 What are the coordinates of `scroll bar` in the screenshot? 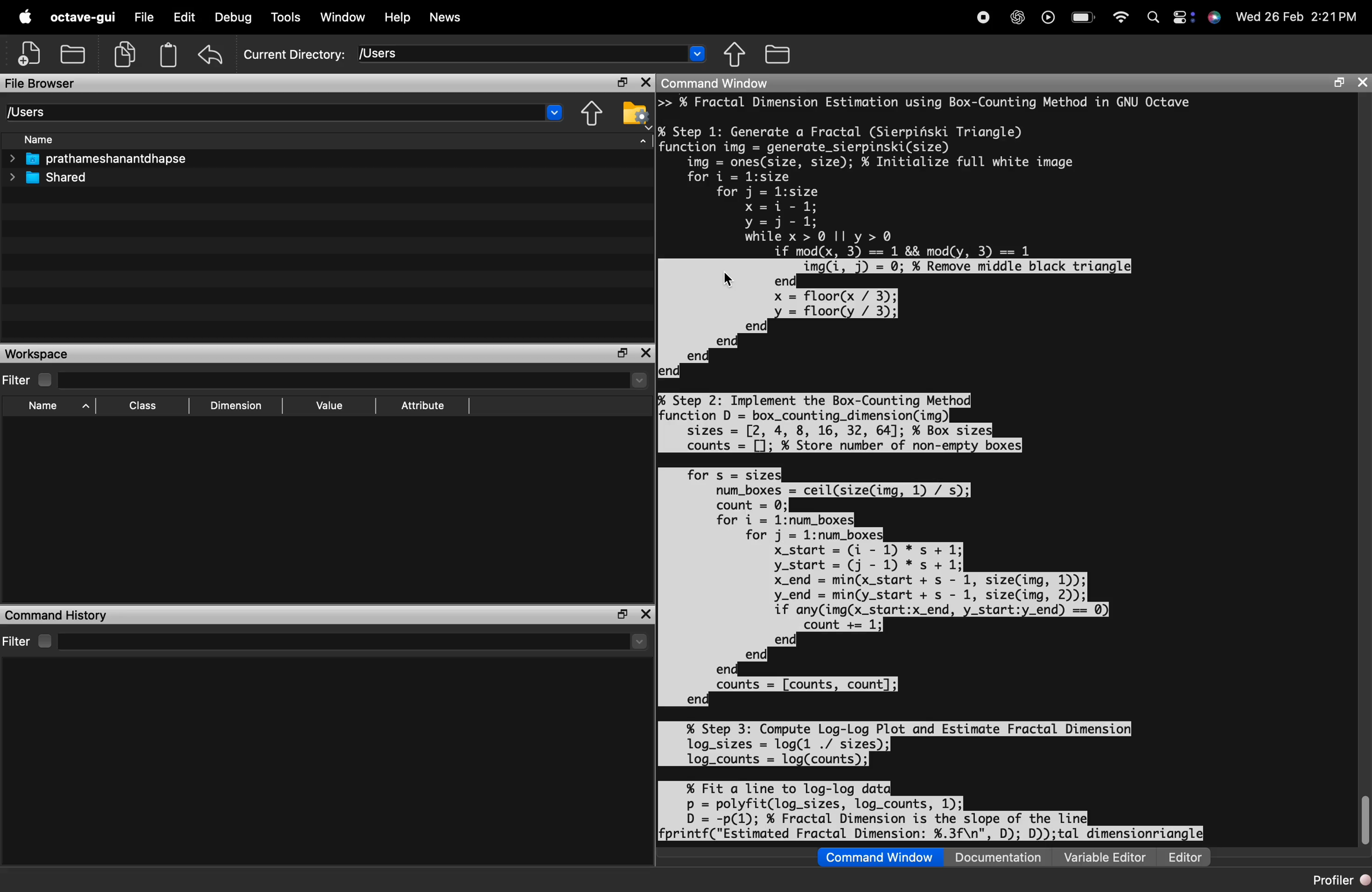 It's located at (1363, 821).